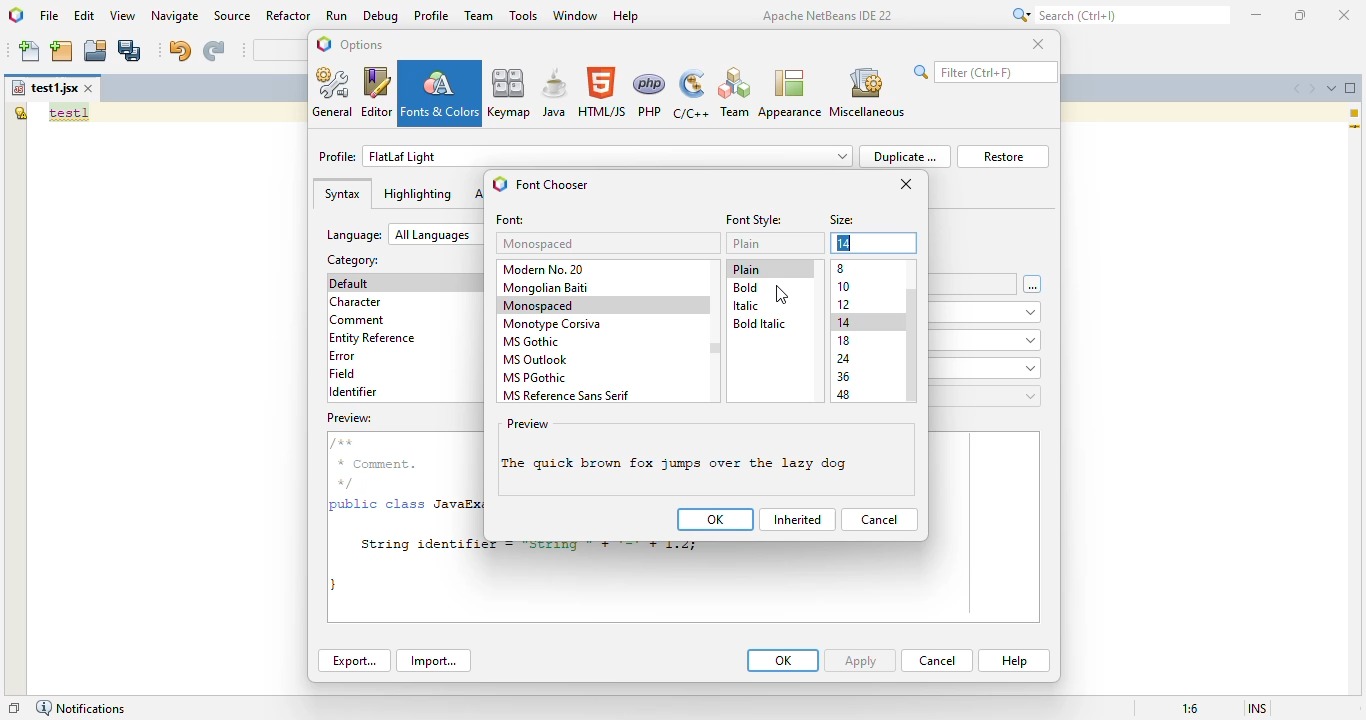 The height and width of the screenshot is (720, 1366). Describe the element at coordinates (843, 221) in the screenshot. I see `size` at that location.